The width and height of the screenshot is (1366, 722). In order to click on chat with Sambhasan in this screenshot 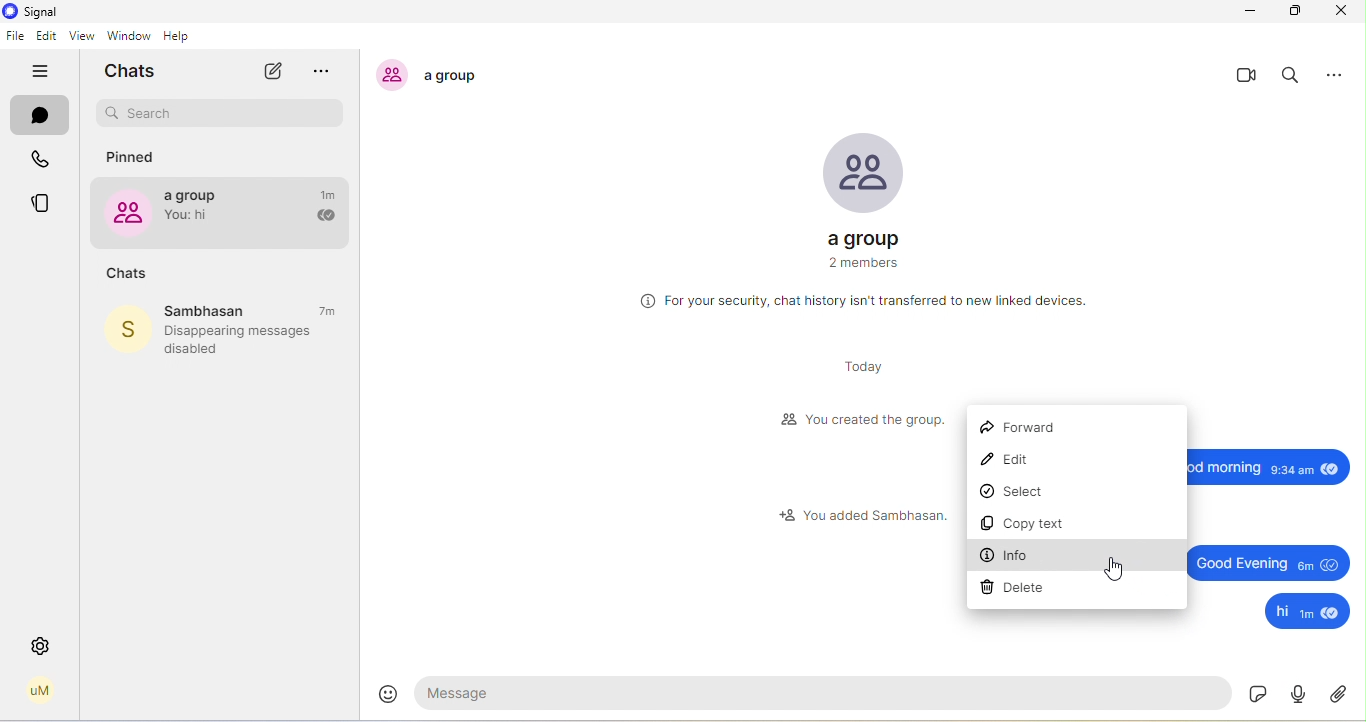, I will do `click(225, 310)`.